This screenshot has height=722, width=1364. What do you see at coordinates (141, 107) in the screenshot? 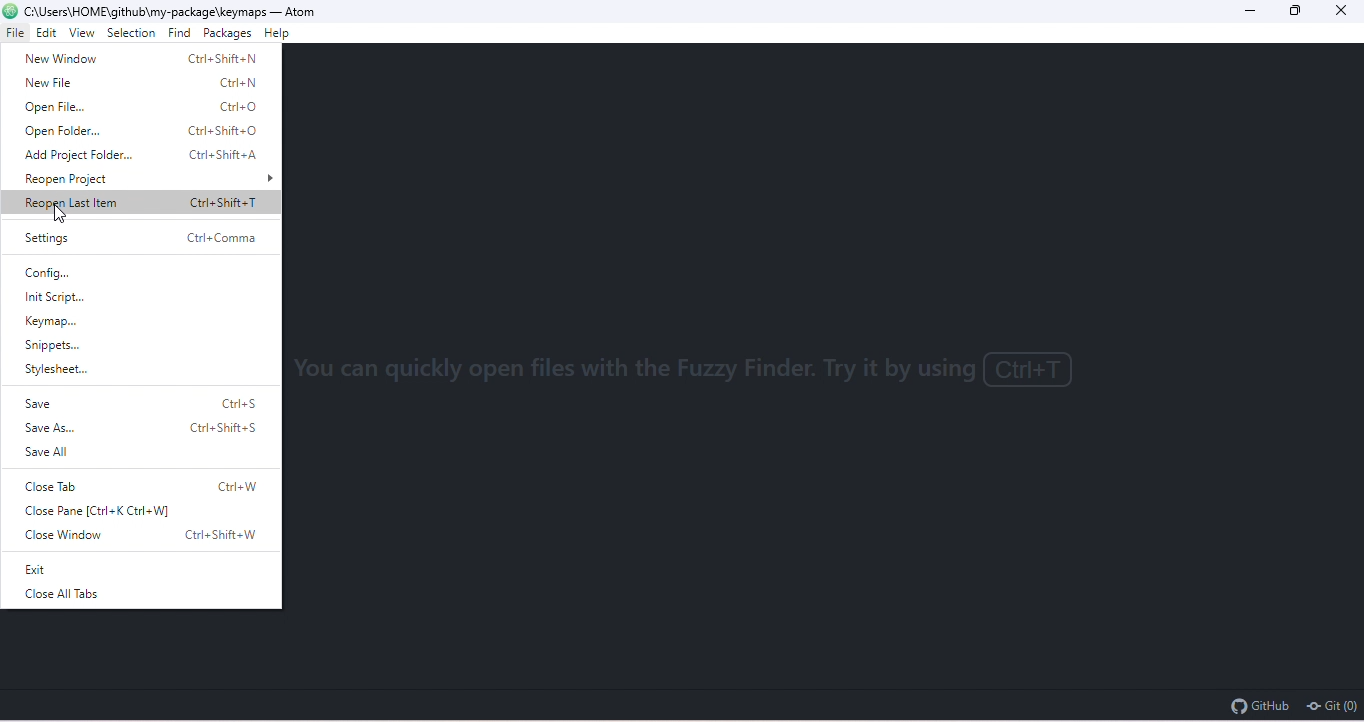
I see `open file Ctrl+O` at bounding box center [141, 107].